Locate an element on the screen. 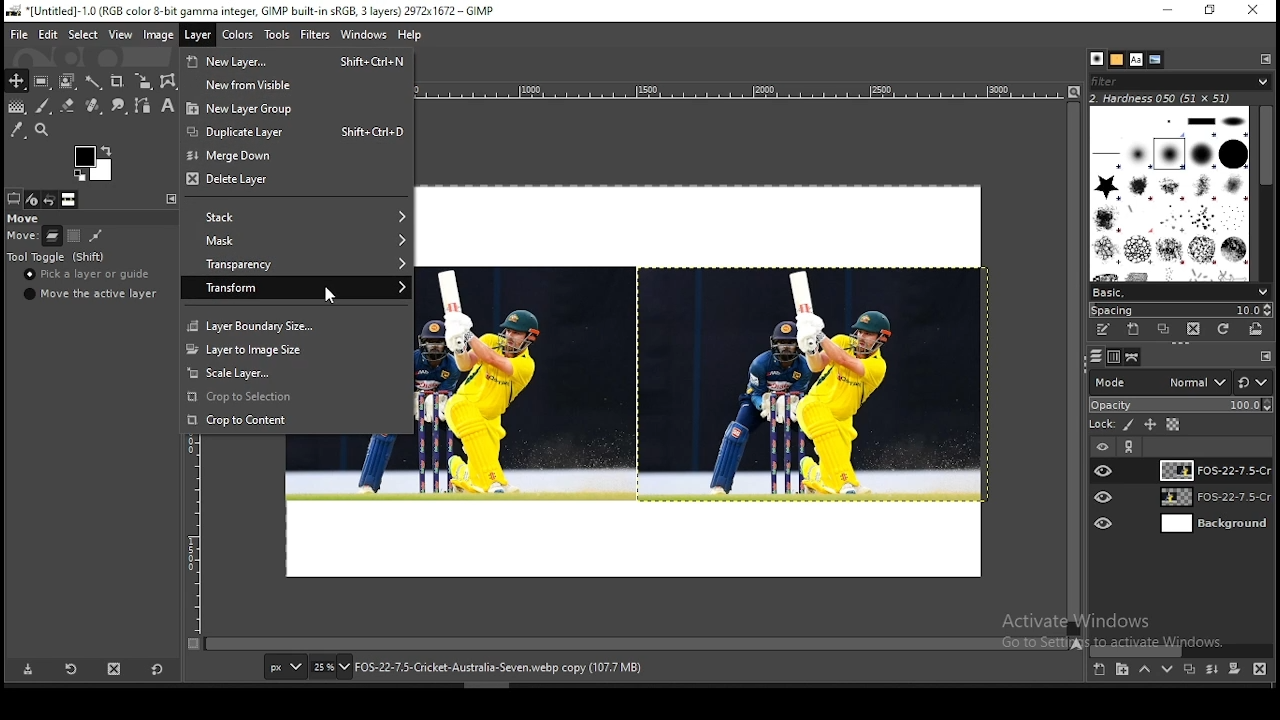 The width and height of the screenshot is (1280, 720). Minimise  is located at coordinates (1167, 10).